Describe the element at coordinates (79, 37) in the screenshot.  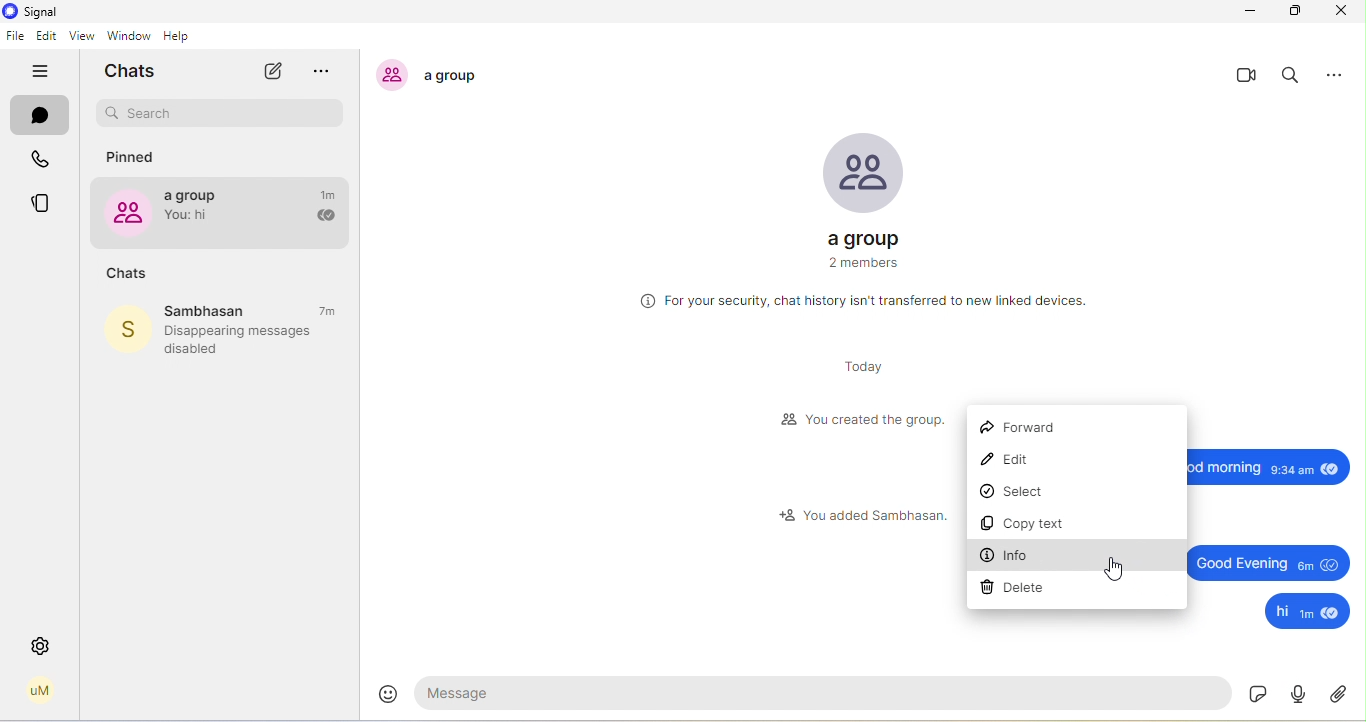
I see `view` at that location.